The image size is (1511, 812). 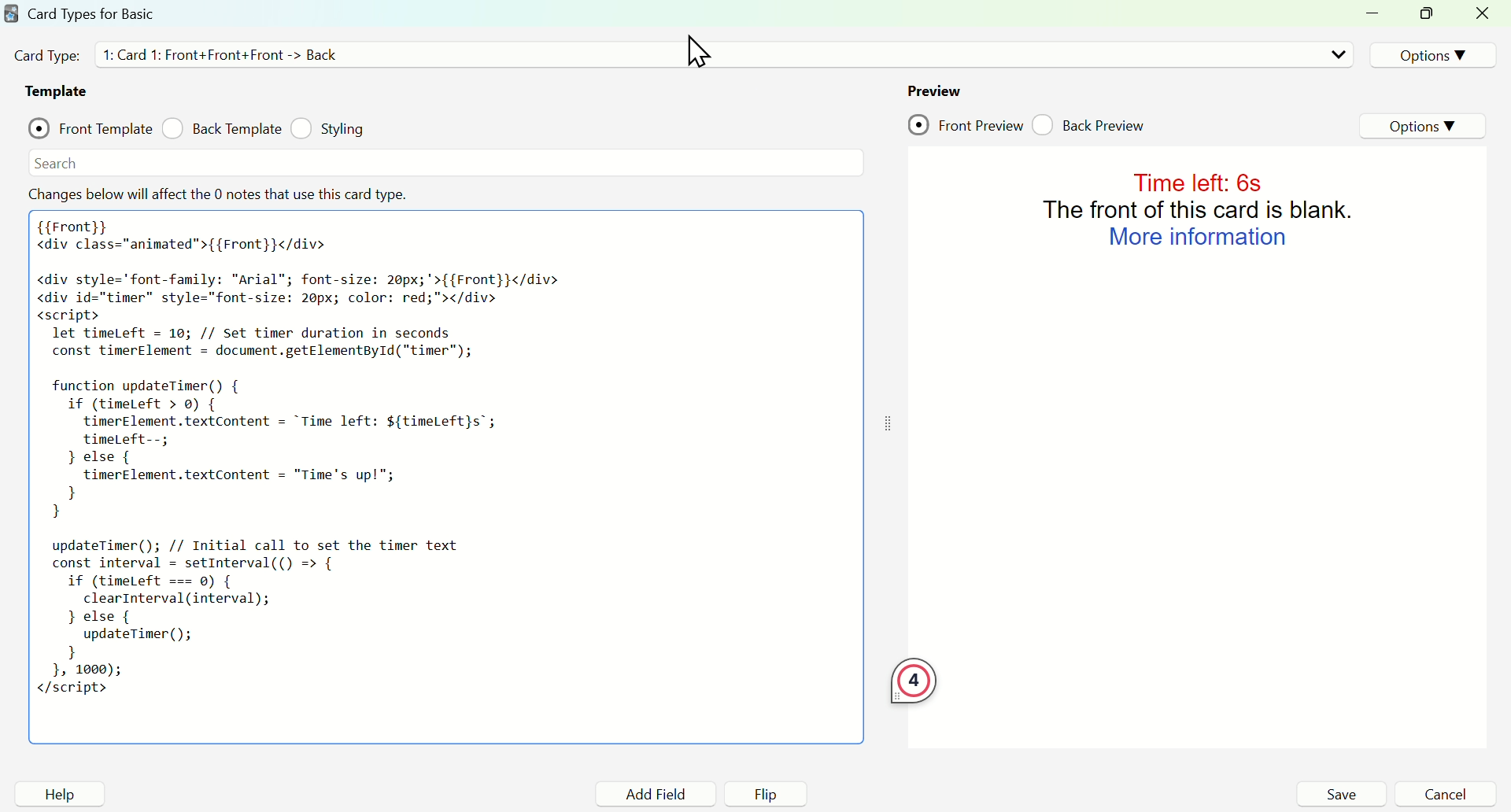 What do you see at coordinates (1429, 54) in the screenshot?
I see `Options` at bounding box center [1429, 54].